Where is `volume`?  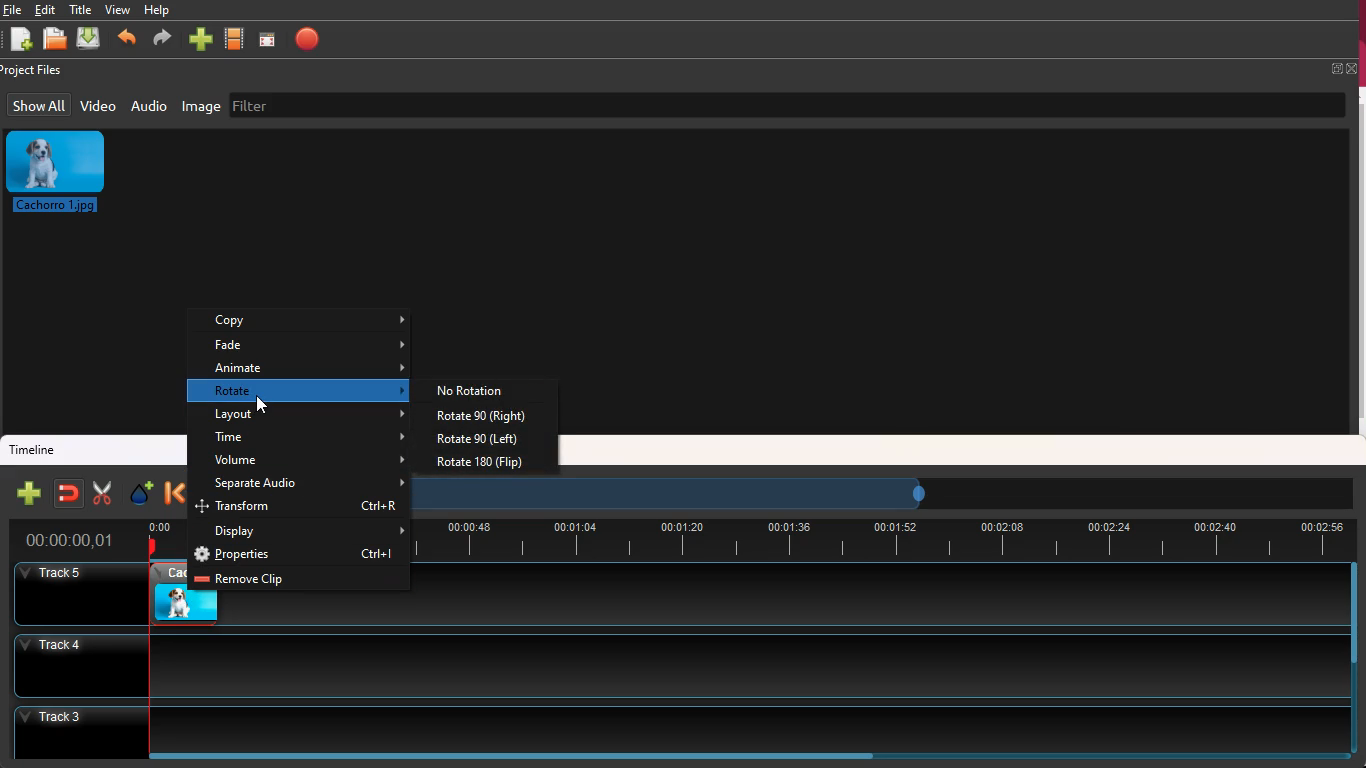 volume is located at coordinates (311, 461).